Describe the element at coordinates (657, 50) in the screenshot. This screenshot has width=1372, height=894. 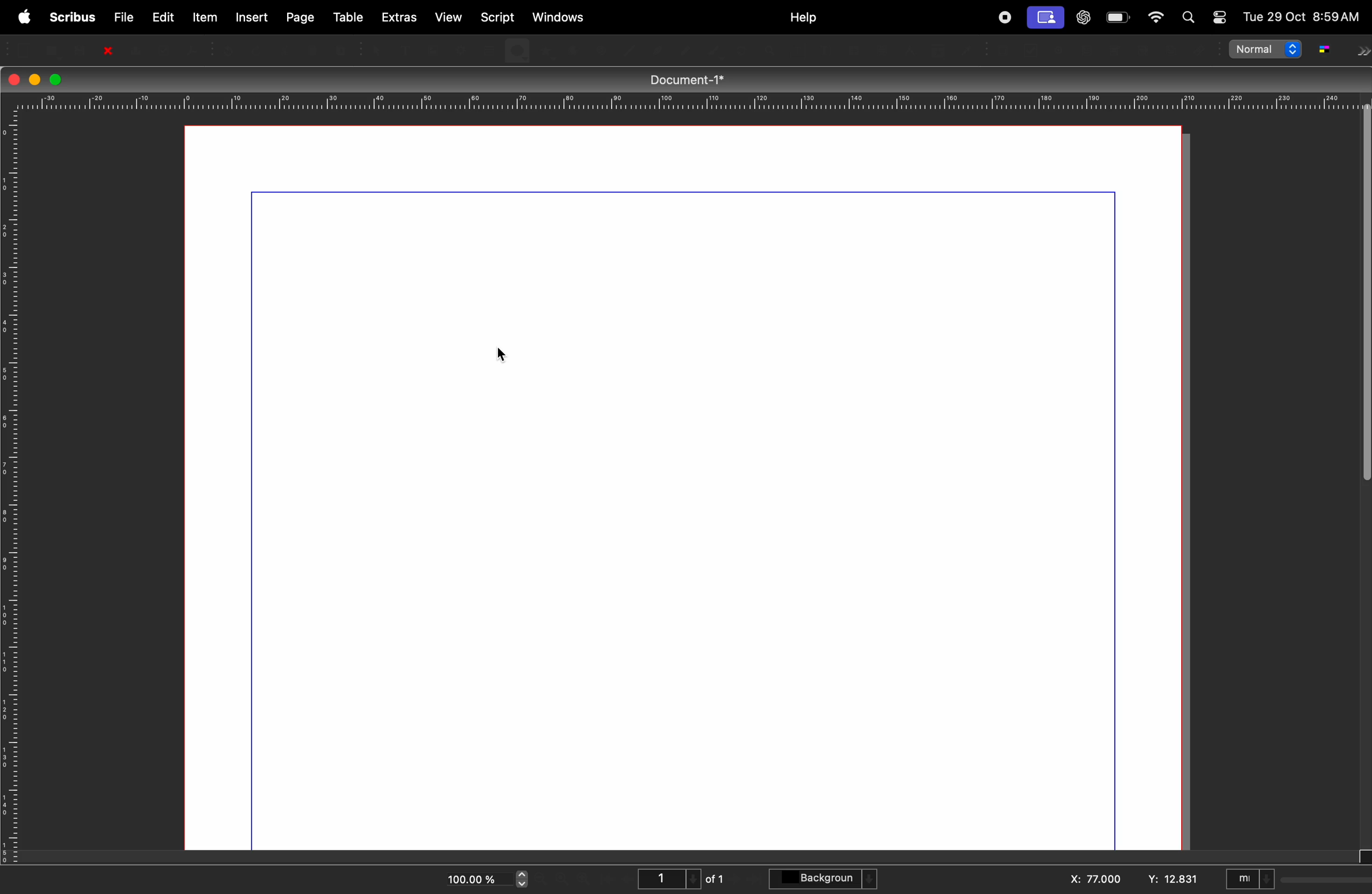
I see `Line` at that location.